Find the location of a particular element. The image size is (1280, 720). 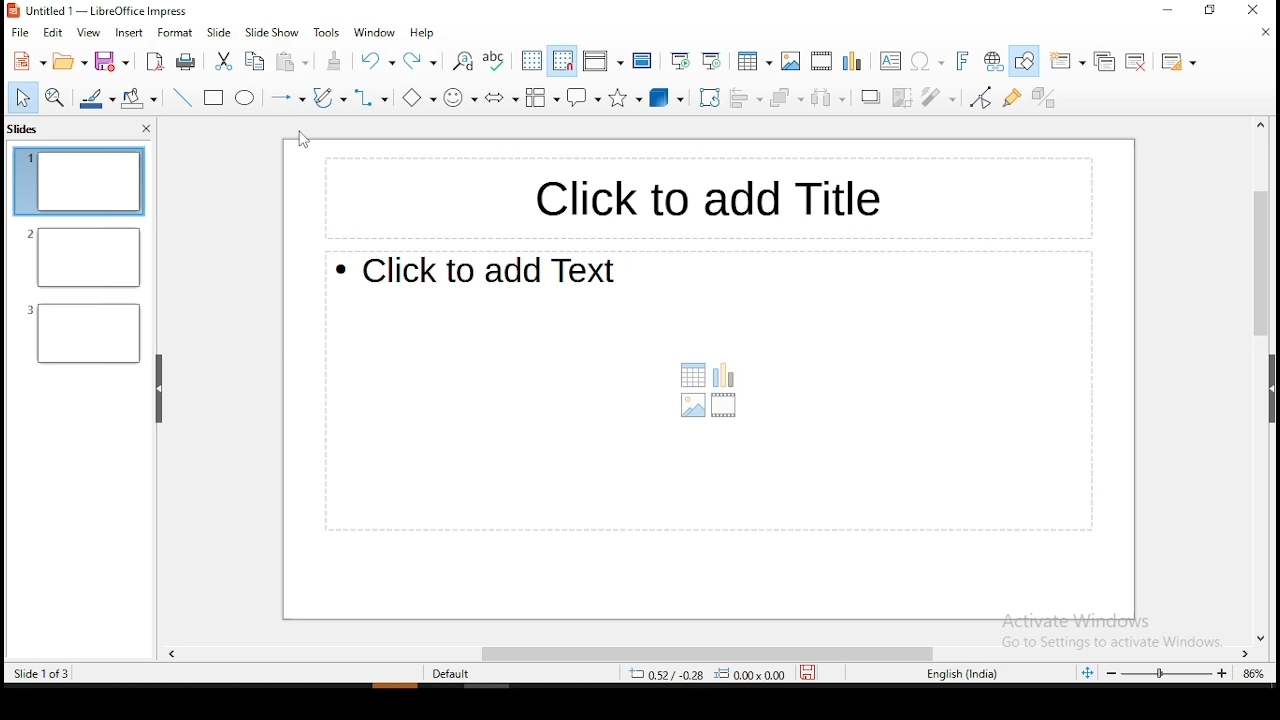

insert video is located at coordinates (821, 60).